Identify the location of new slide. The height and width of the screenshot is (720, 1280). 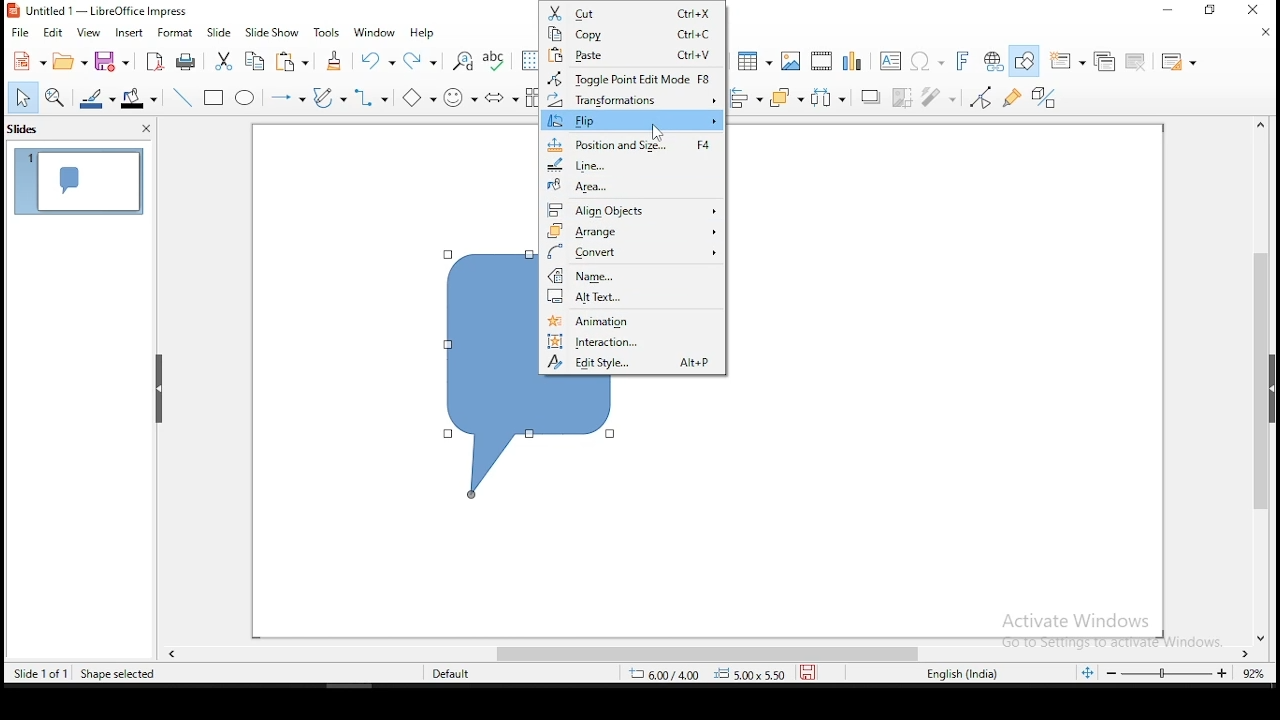
(1067, 59).